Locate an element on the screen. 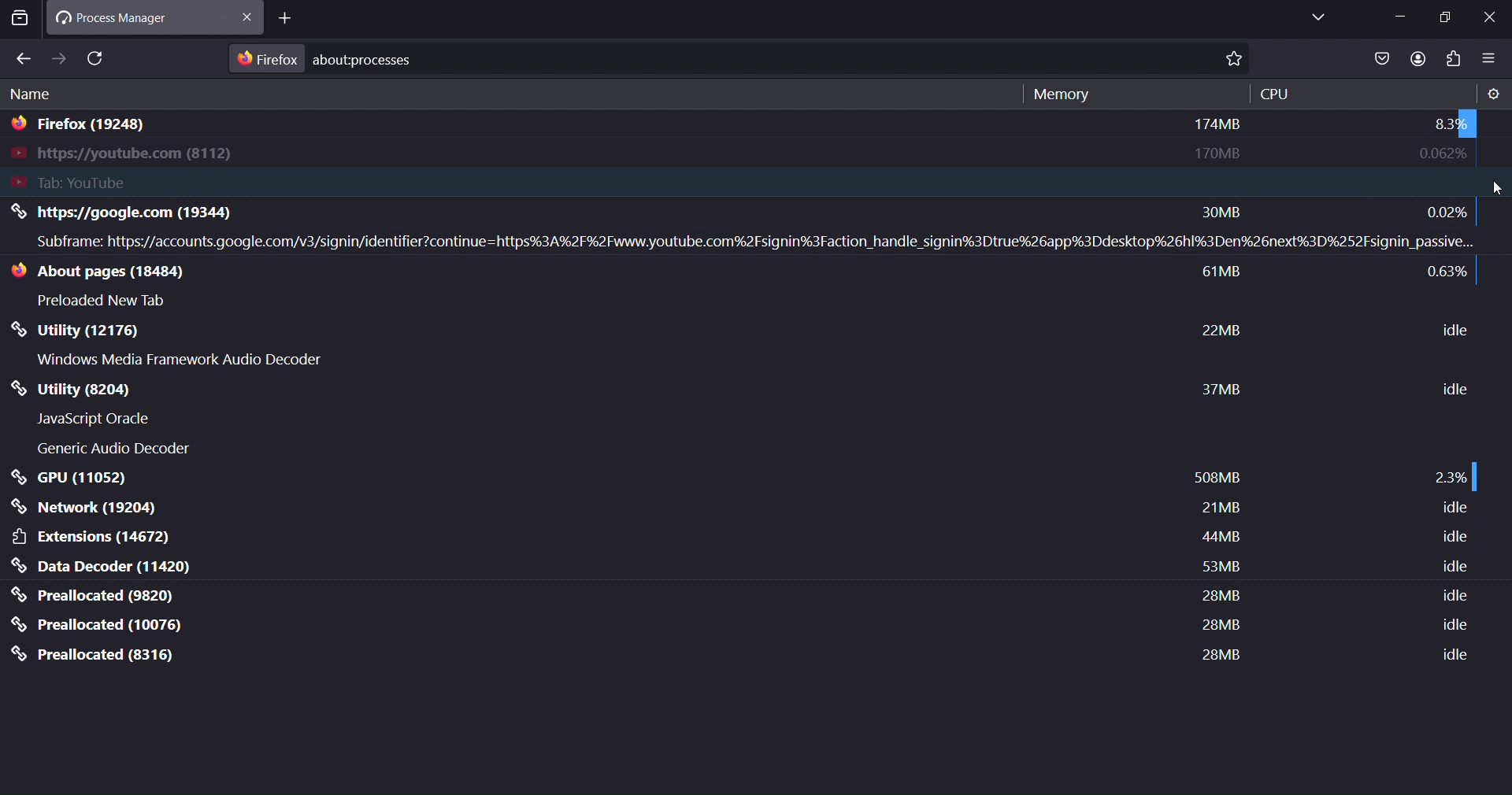 Image resolution: width=1512 pixels, height=795 pixels. account is located at coordinates (1414, 58).